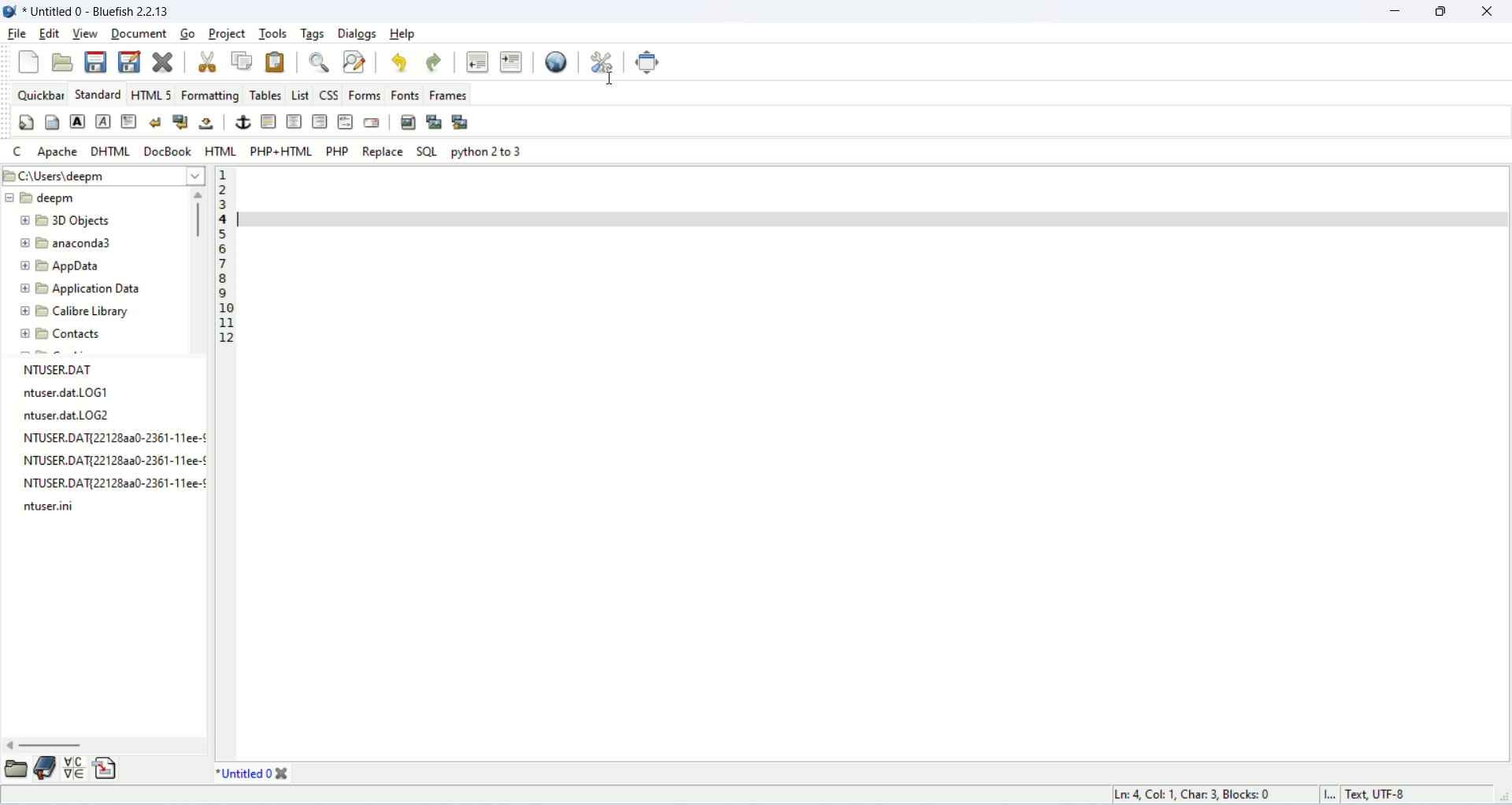 This screenshot has width=1512, height=805. Describe the element at coordinates (345, 121) in the screenshot. I see `HTML COMMENT` at that location.